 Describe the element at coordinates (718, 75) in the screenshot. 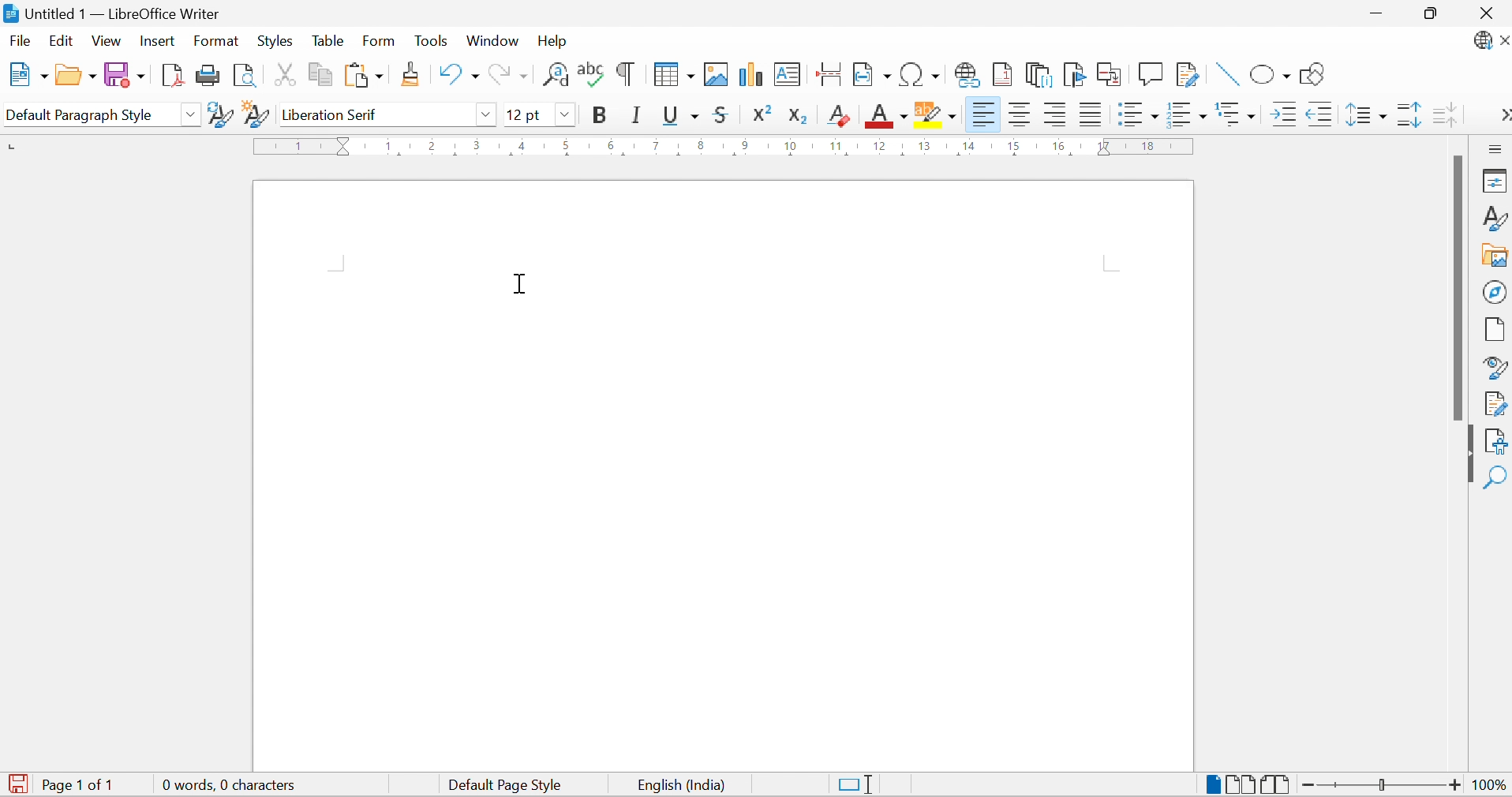

I see `Insert Image` at that location.